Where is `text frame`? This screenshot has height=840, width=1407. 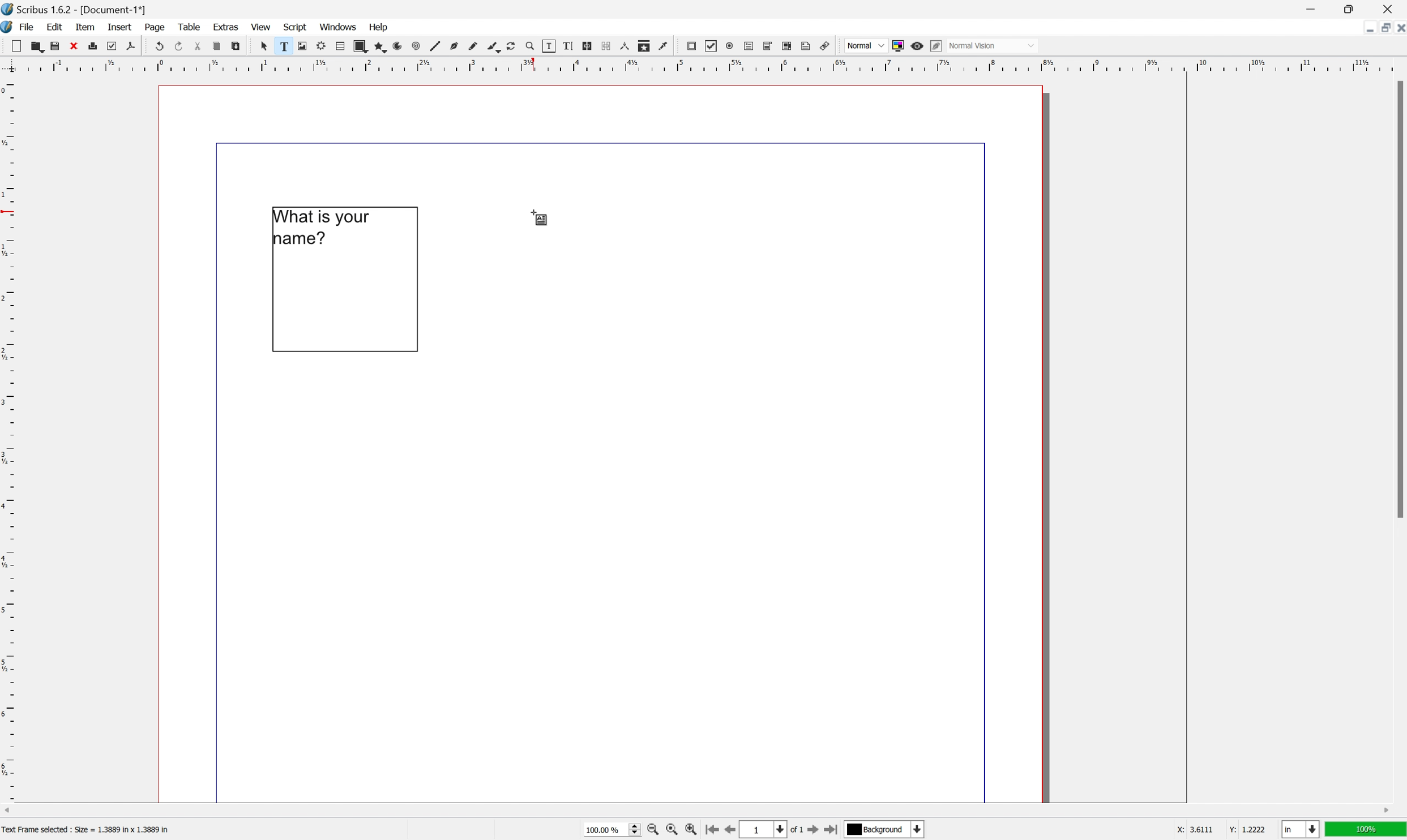
text frame is located at coordinates (282, 46).